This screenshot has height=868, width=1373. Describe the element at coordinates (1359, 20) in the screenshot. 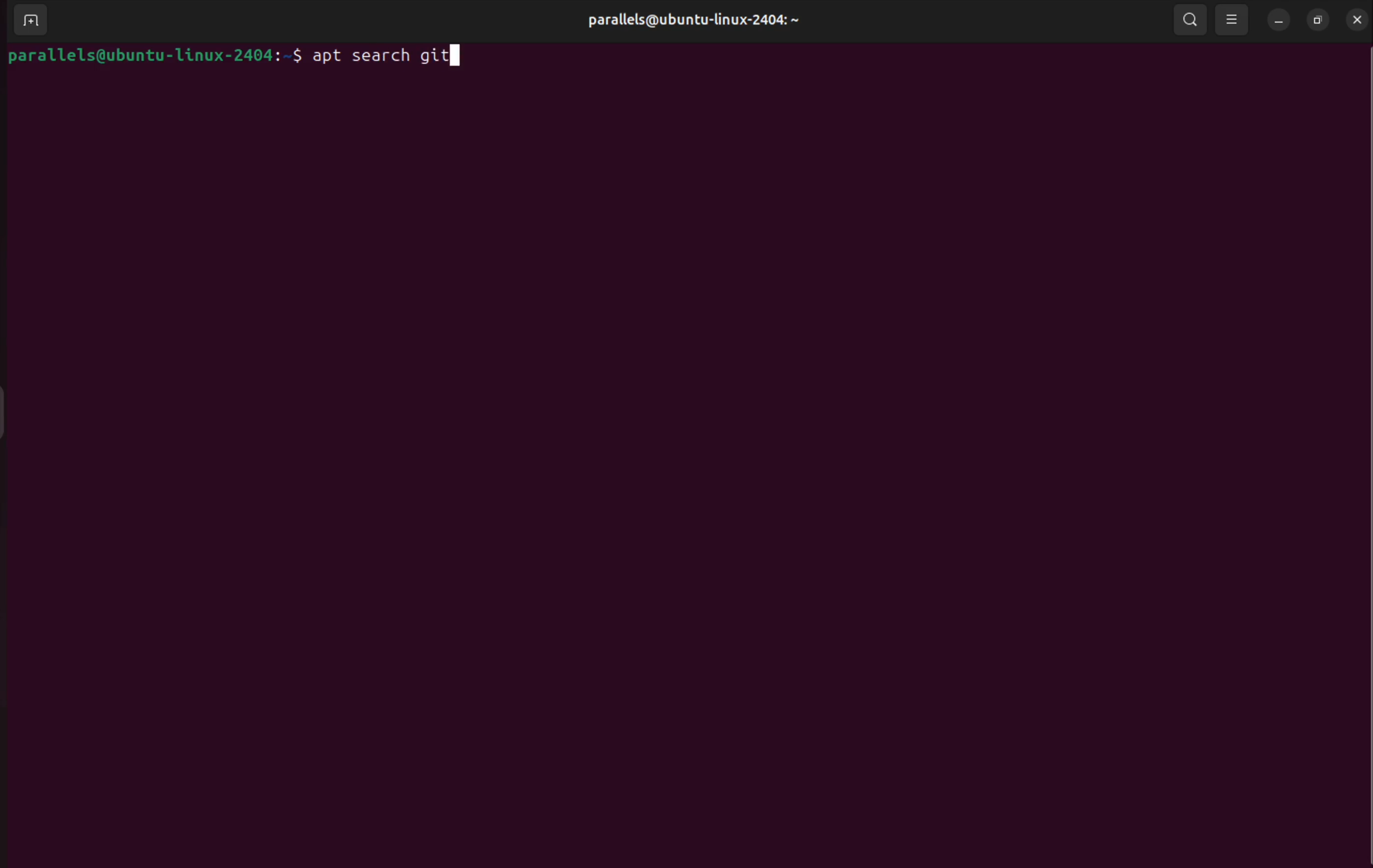

I see `close` at that location.